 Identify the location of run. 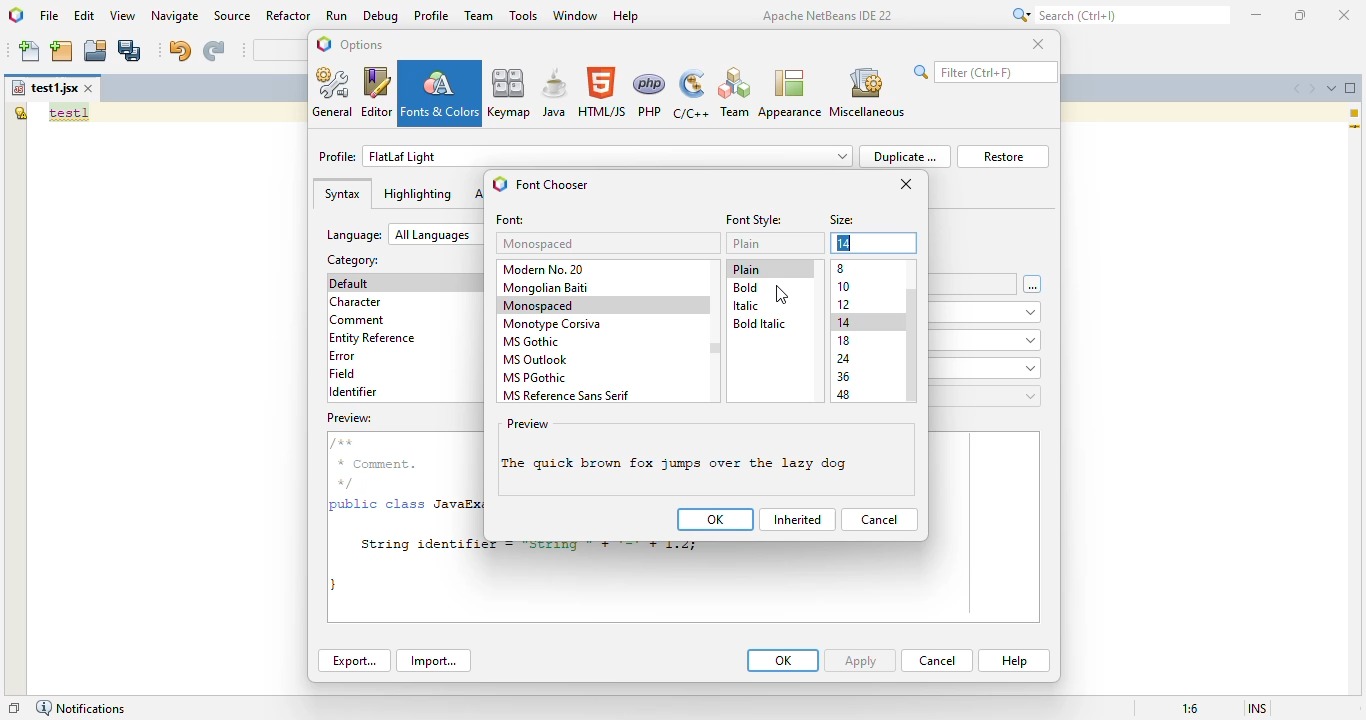
(337, 16).